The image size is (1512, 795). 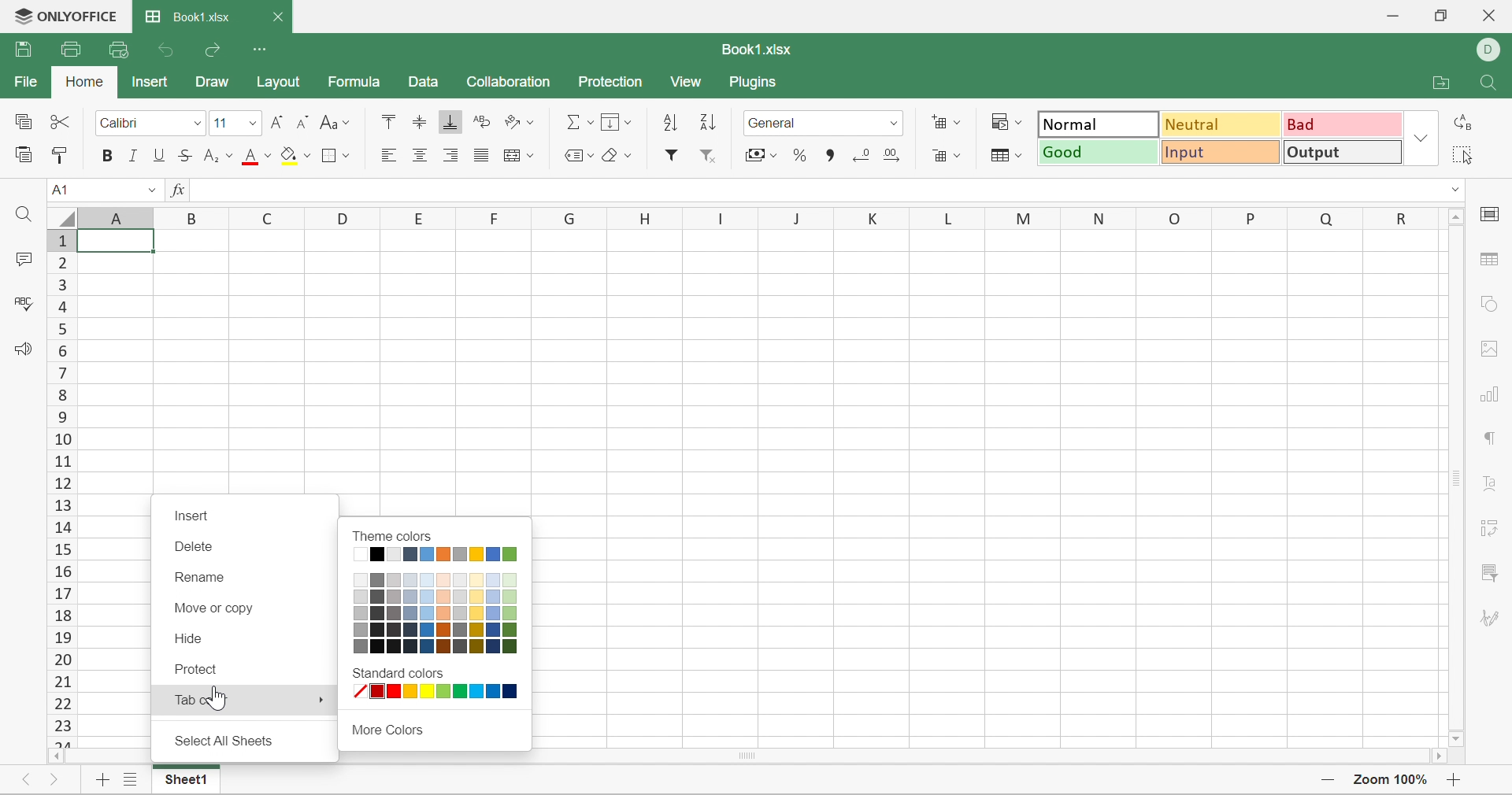 I want to click on 16, so click(x=58, y=574).